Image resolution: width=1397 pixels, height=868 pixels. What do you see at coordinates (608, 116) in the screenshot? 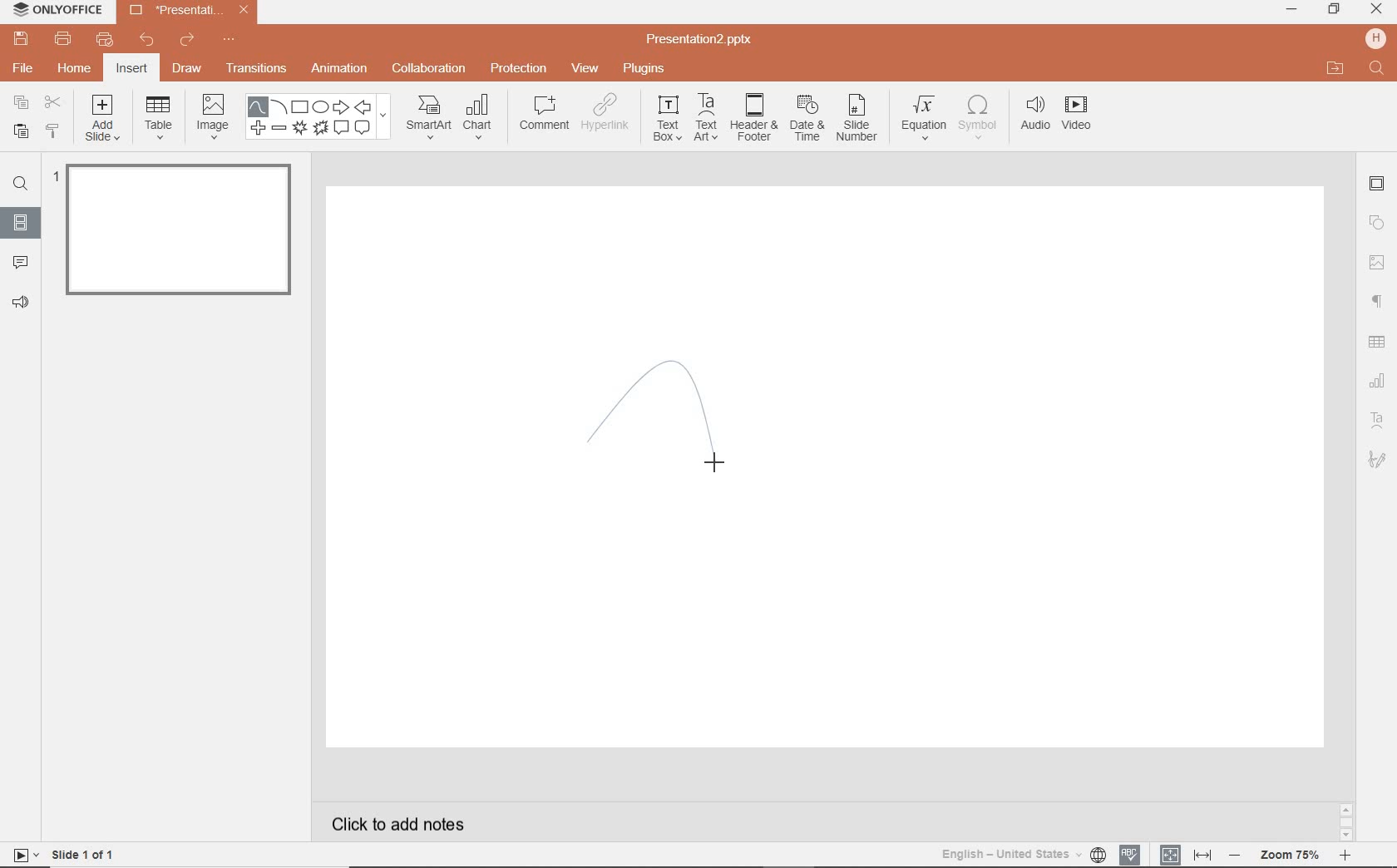
I see `HYPERLINK` at bounding box center [608, 116].